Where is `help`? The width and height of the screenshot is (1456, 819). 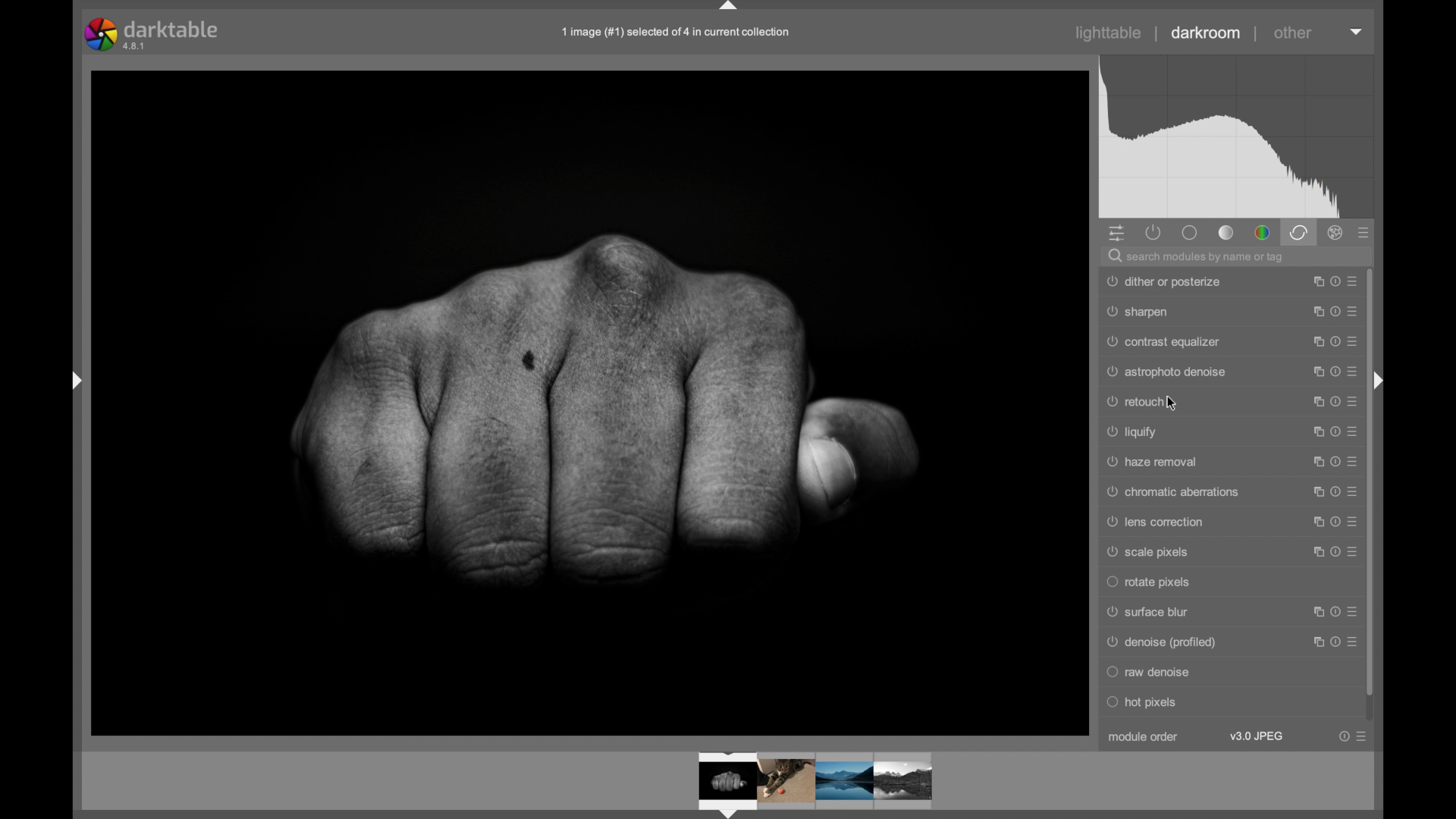 help is located at coordinates (1332, 552).